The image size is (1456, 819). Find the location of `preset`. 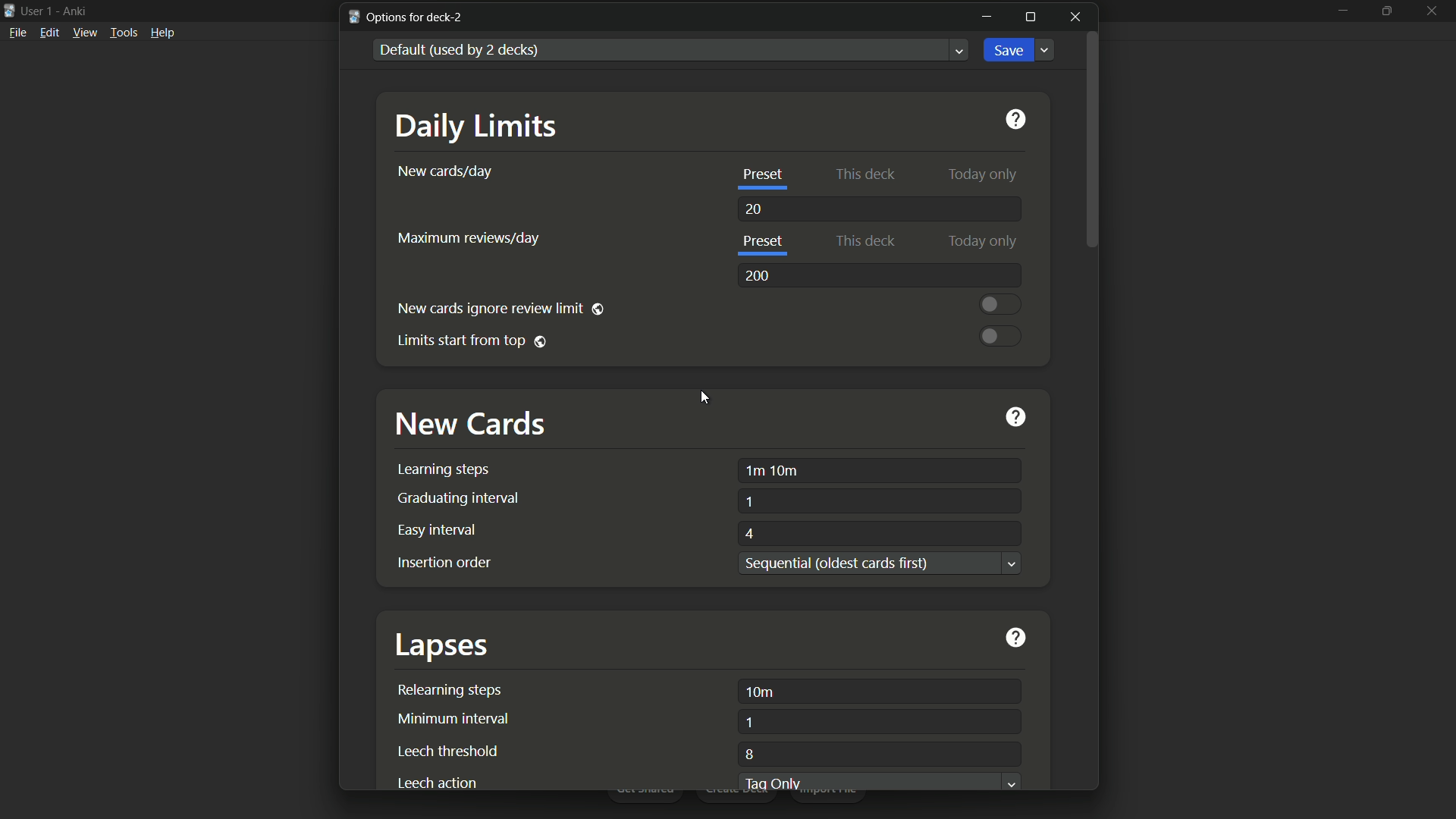

preset is located at coordinates (763, 242).